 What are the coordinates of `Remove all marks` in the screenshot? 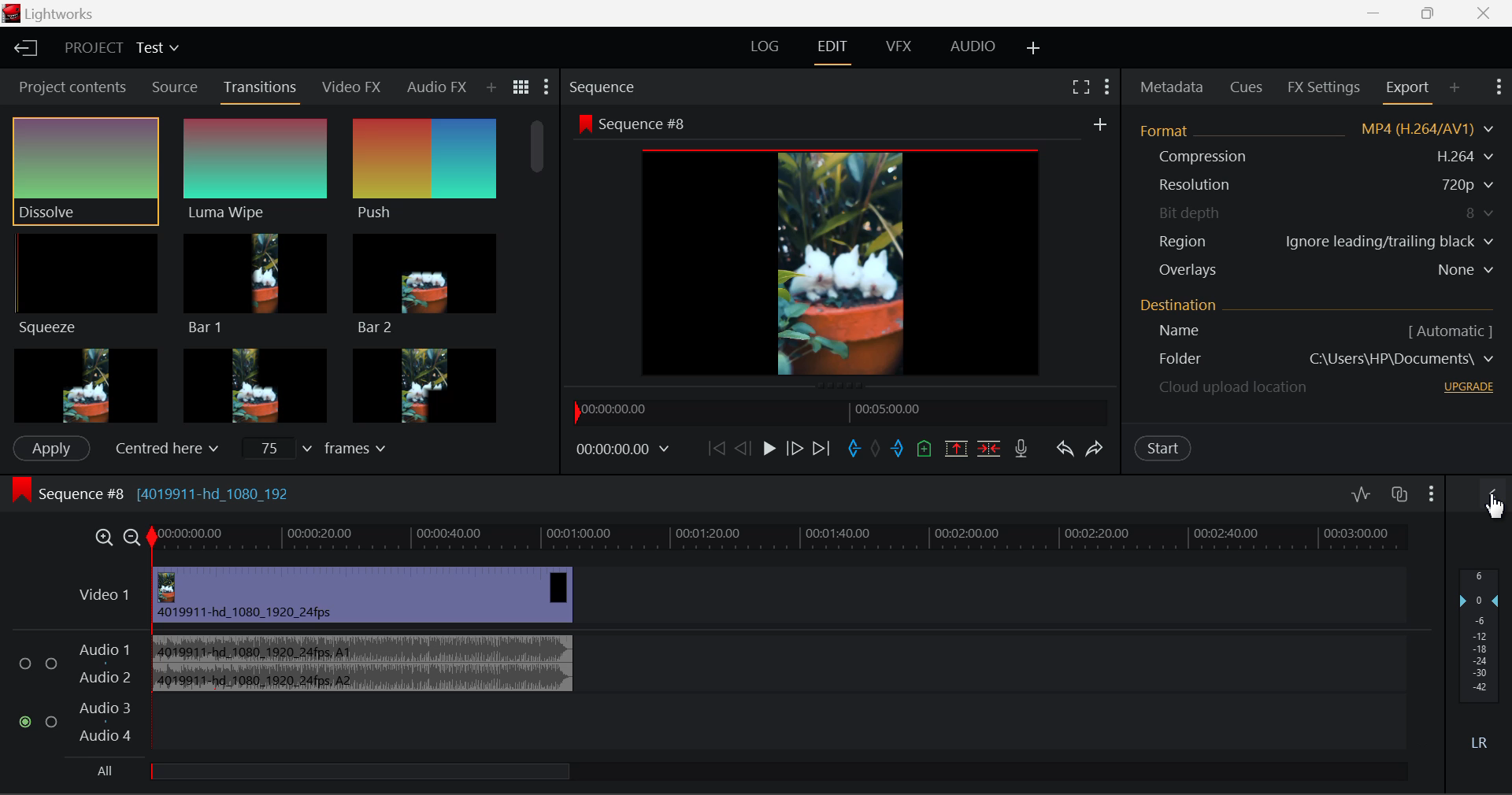 It's located at (875, 449).